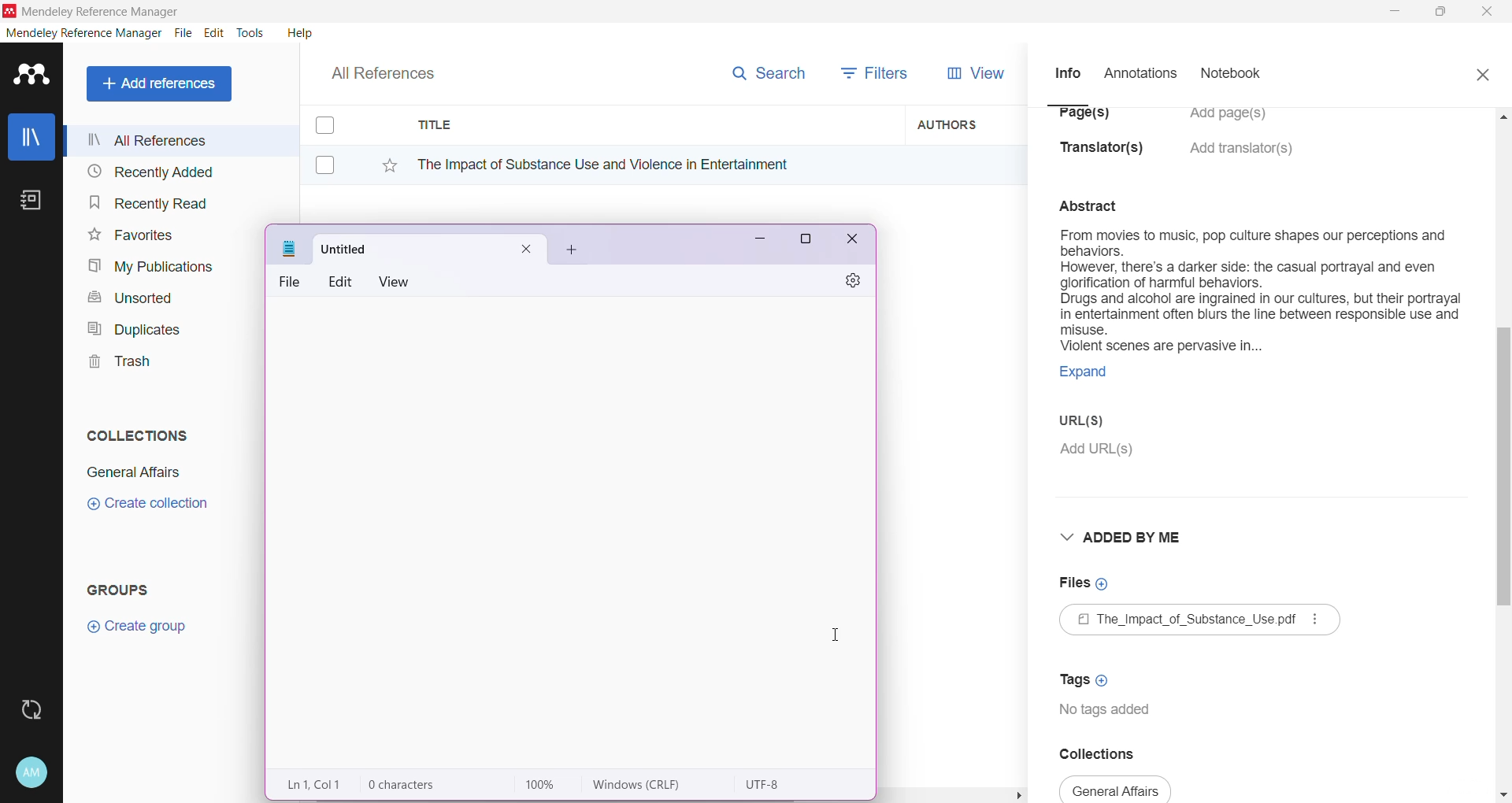 This screenshot has height=803, width=1512. Describe the element at coordinates (1106, 155) in the screenshot. I see `Translator(s)` at that location.